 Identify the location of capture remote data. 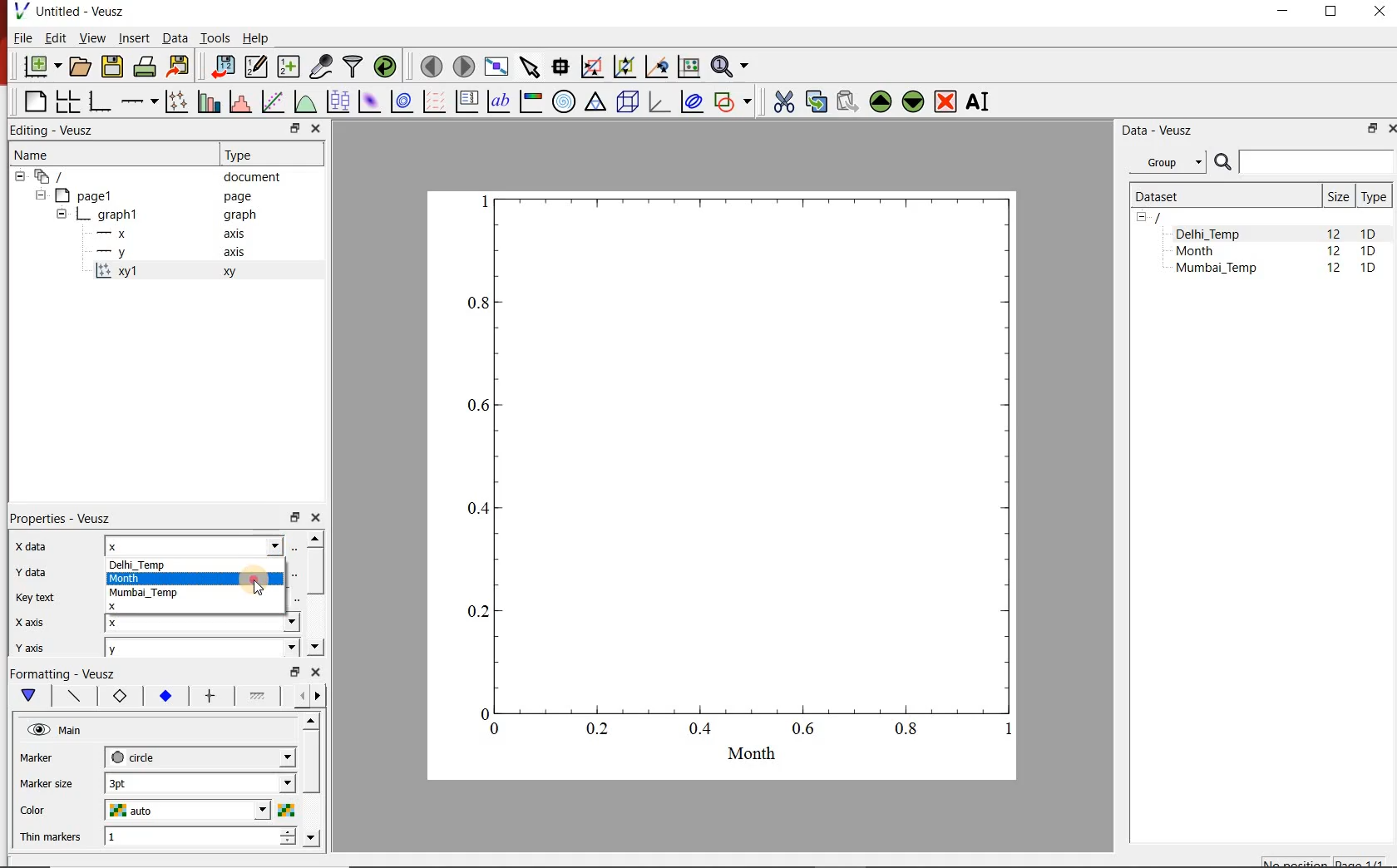
(322, 67).